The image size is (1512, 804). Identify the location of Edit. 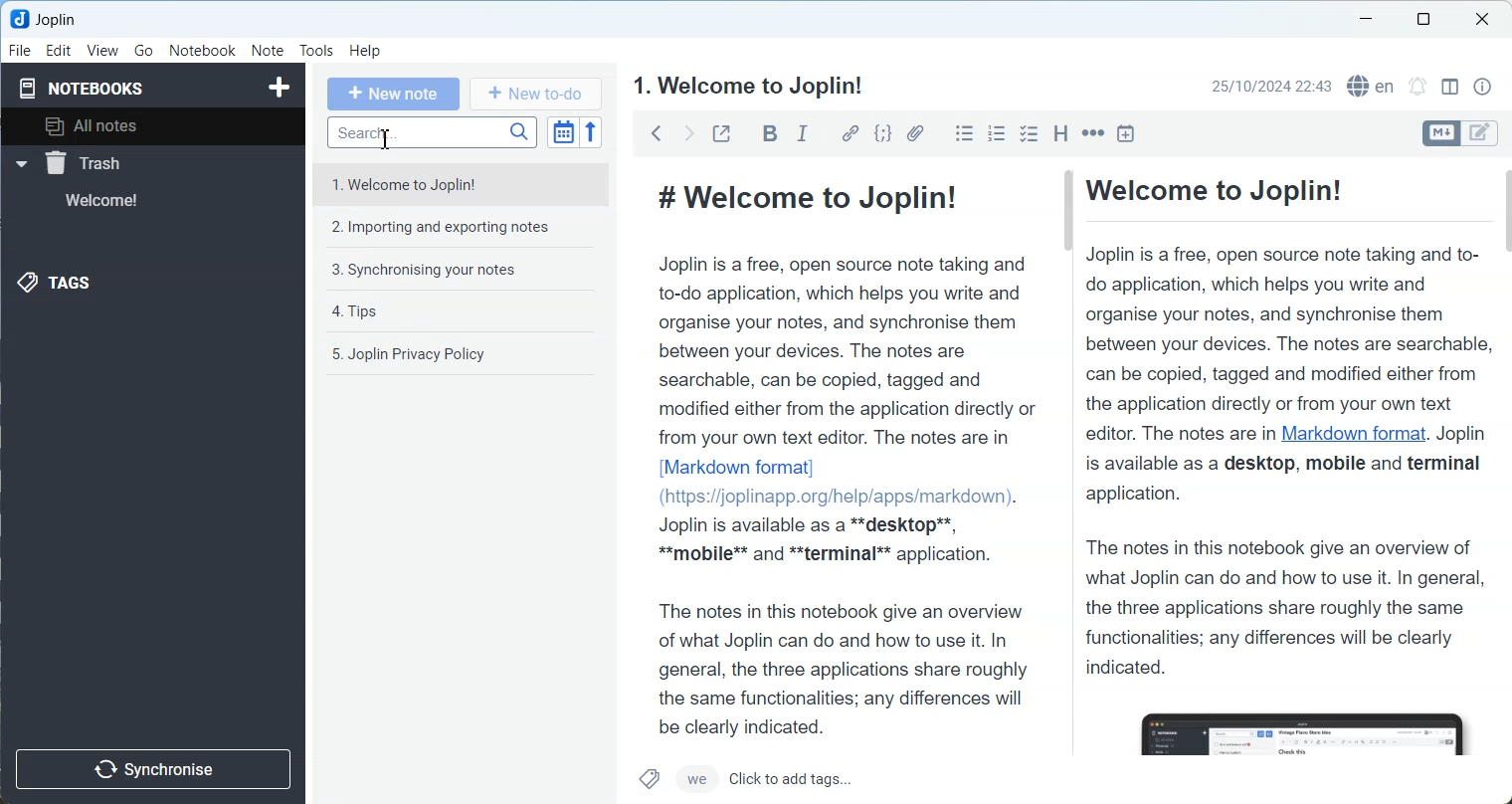
(60, 51).